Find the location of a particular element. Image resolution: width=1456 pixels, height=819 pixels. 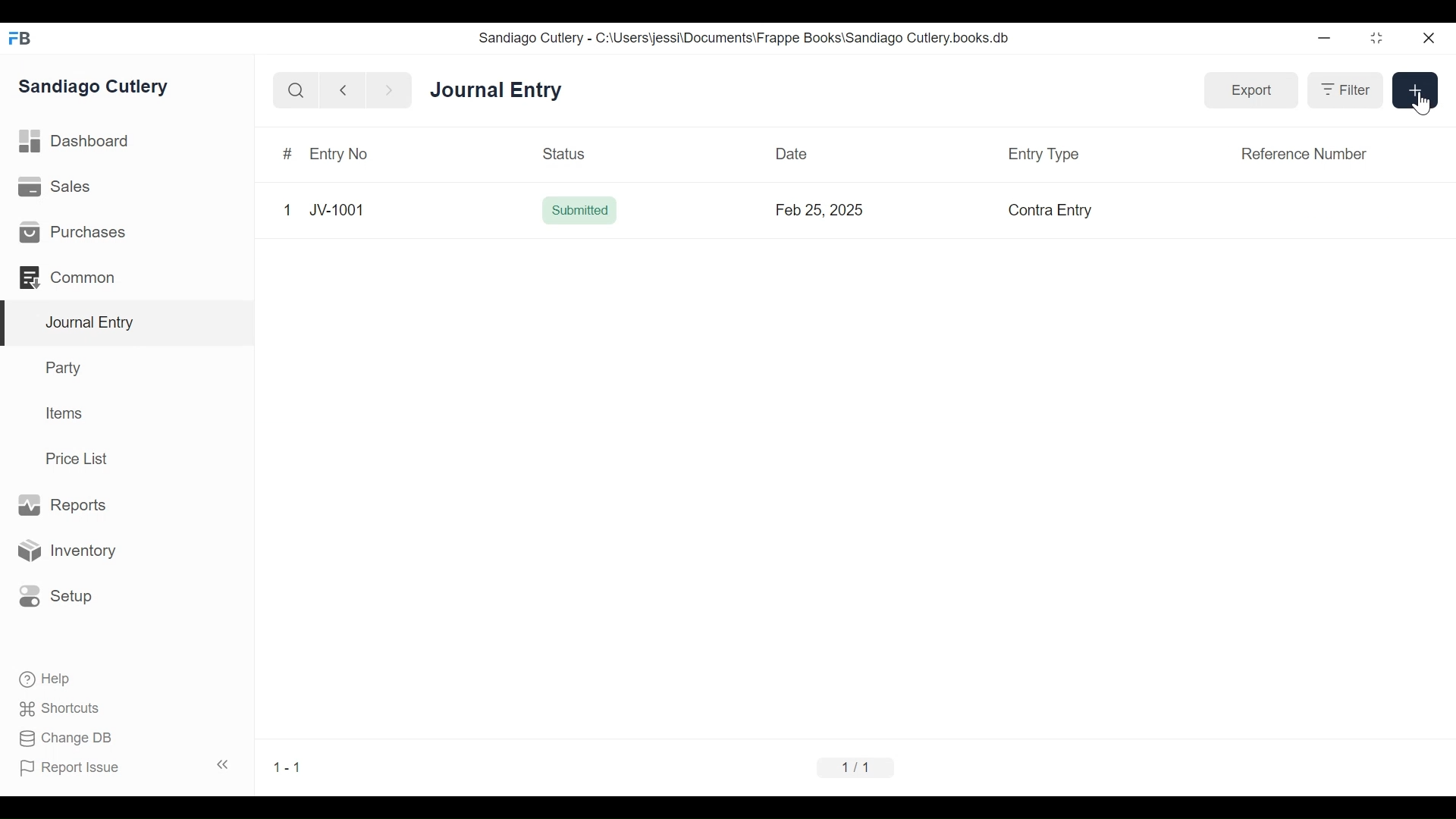

Report Issue is located at coordinates (124, 767).